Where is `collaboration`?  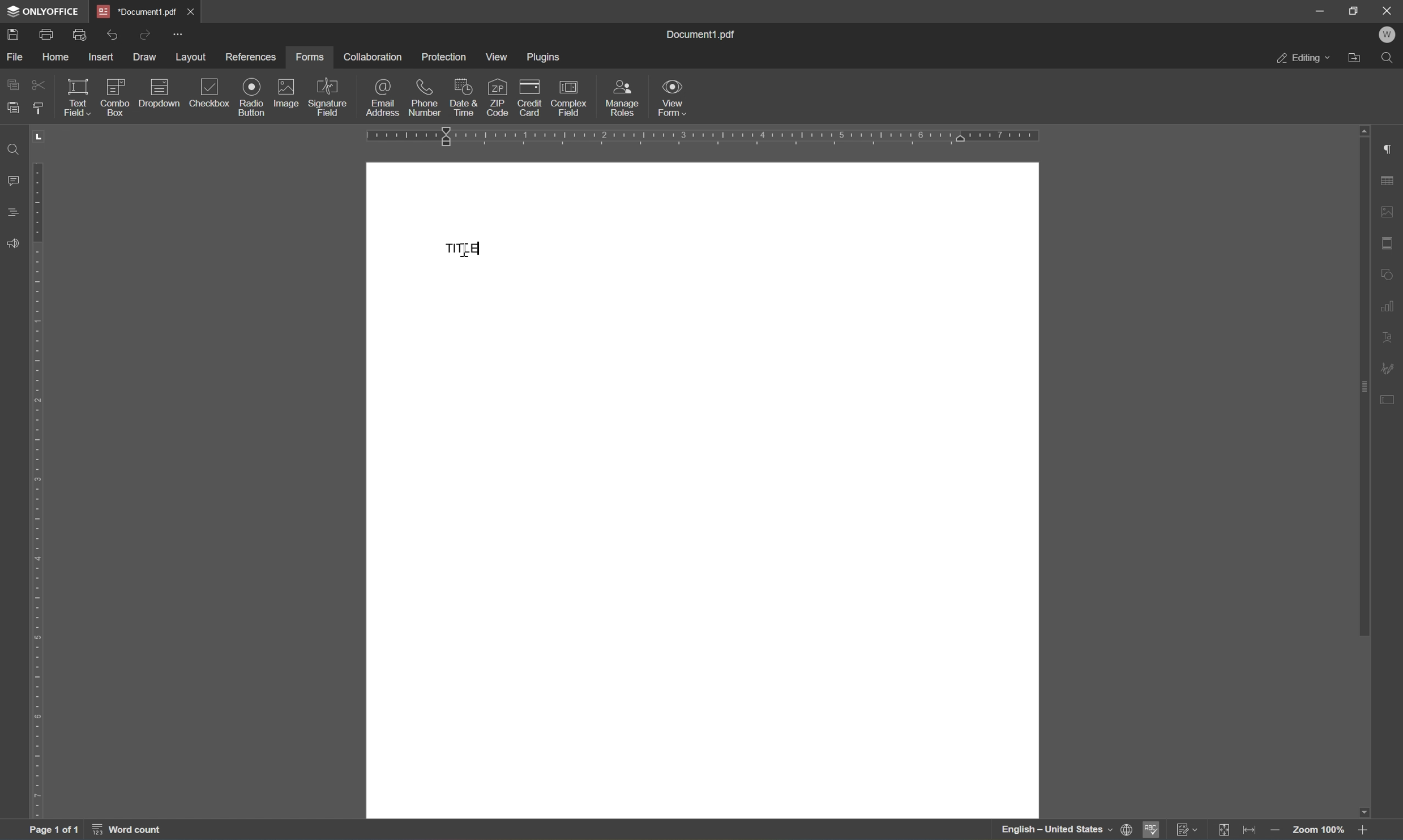
collaboration is located at coordinates (377, 57).